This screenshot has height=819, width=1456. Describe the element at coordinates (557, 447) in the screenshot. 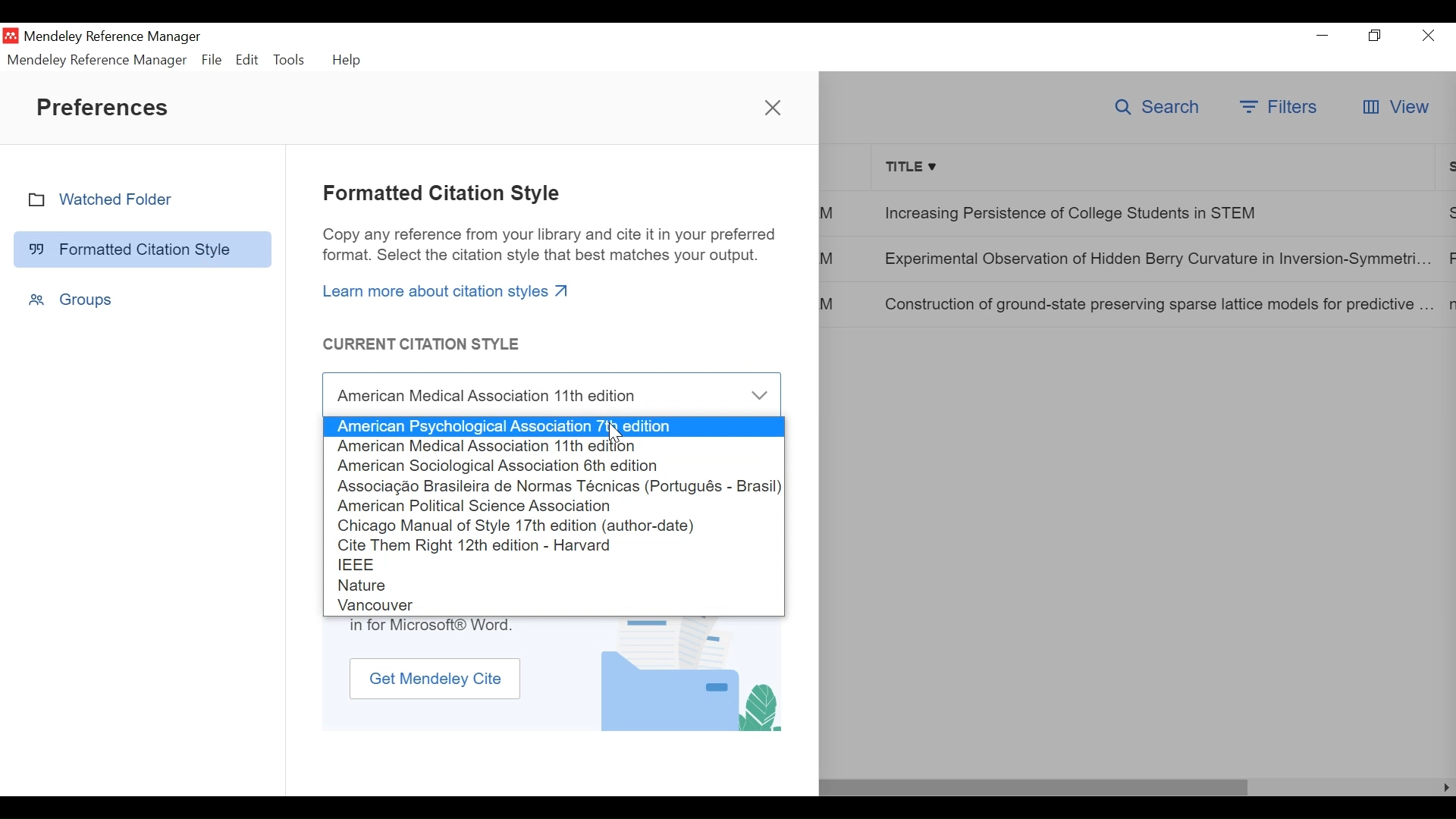

I see `American Medical Association 11th edition` at that location.